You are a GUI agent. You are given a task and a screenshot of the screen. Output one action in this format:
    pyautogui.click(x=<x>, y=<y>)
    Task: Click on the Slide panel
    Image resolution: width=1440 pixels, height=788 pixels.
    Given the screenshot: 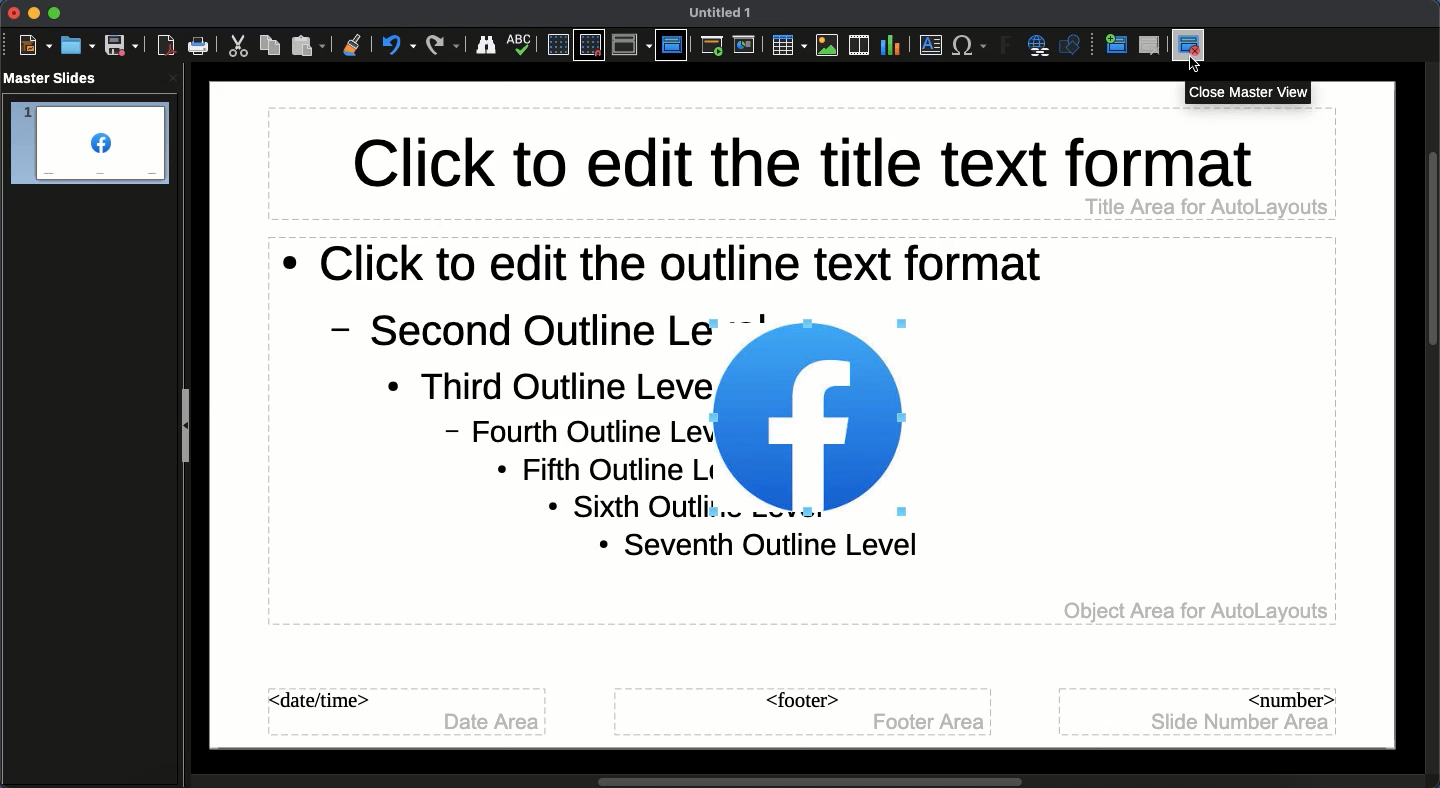 What is the action you would take?
    pyautogui.click(x=186, y=427)
    